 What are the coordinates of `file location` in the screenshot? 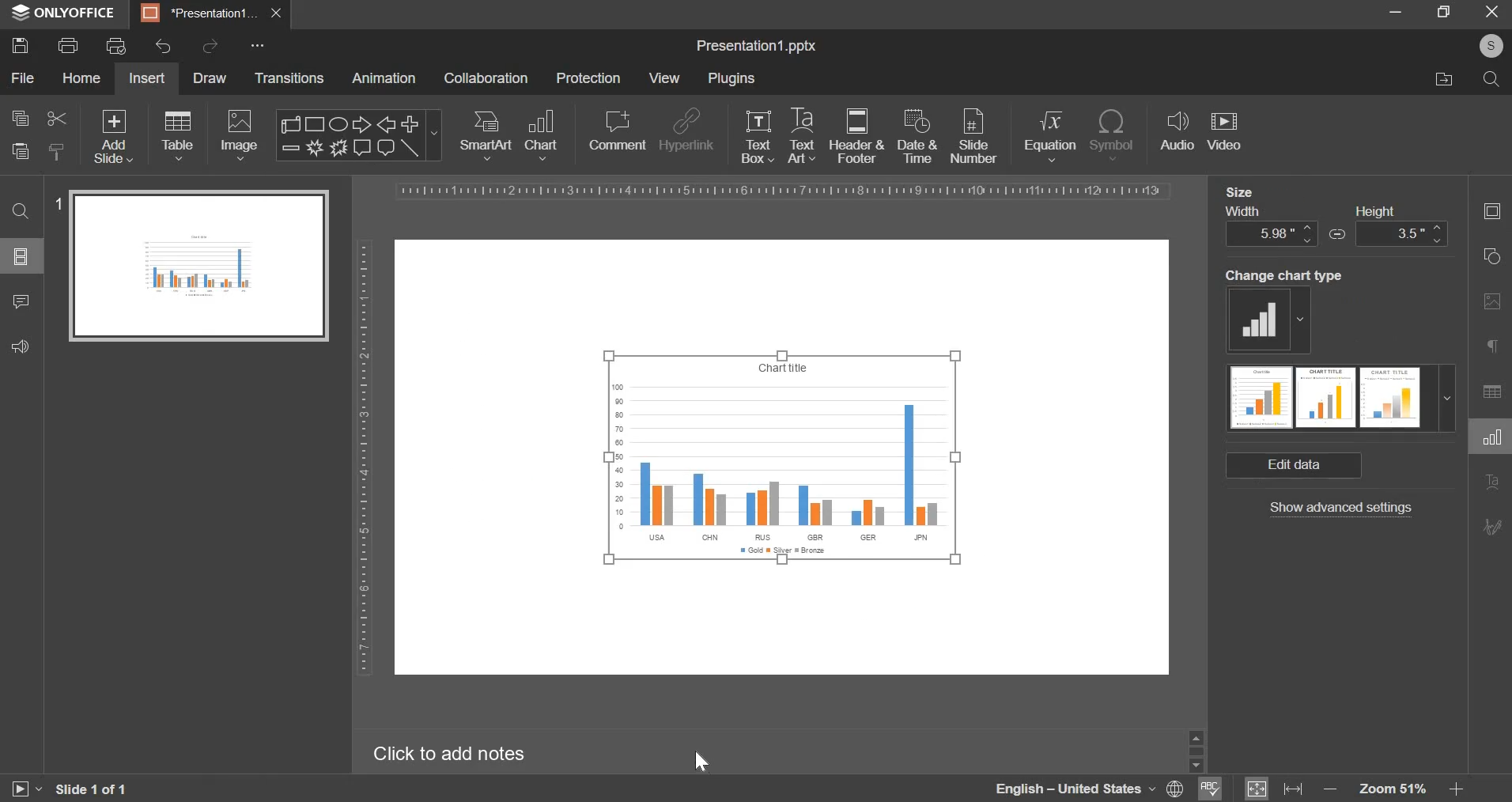 It's located at (1444, 78).